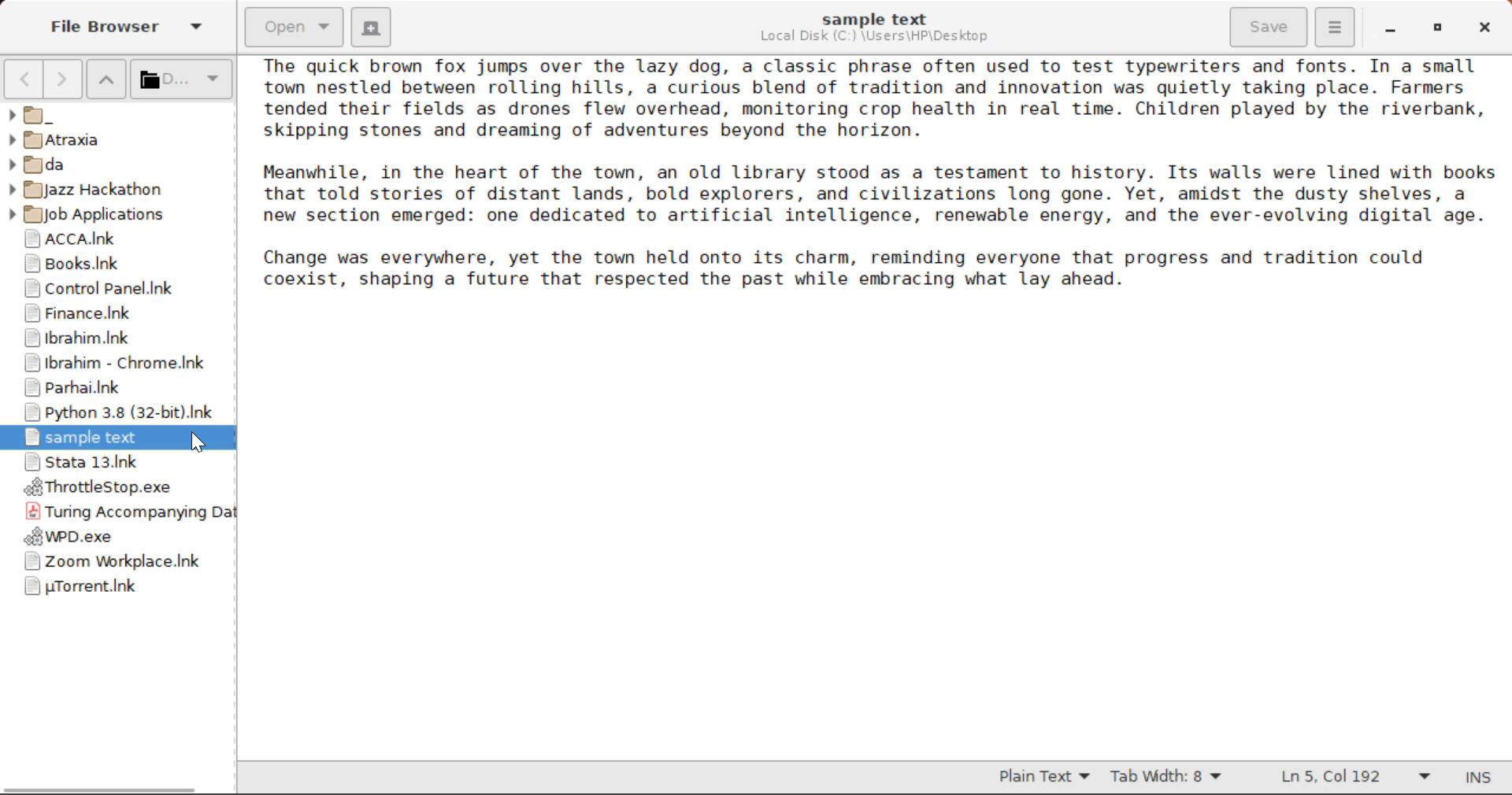  Describe the element at coordinates (1166, 778) in the screenshot. I see `Tab Width ` at that location.